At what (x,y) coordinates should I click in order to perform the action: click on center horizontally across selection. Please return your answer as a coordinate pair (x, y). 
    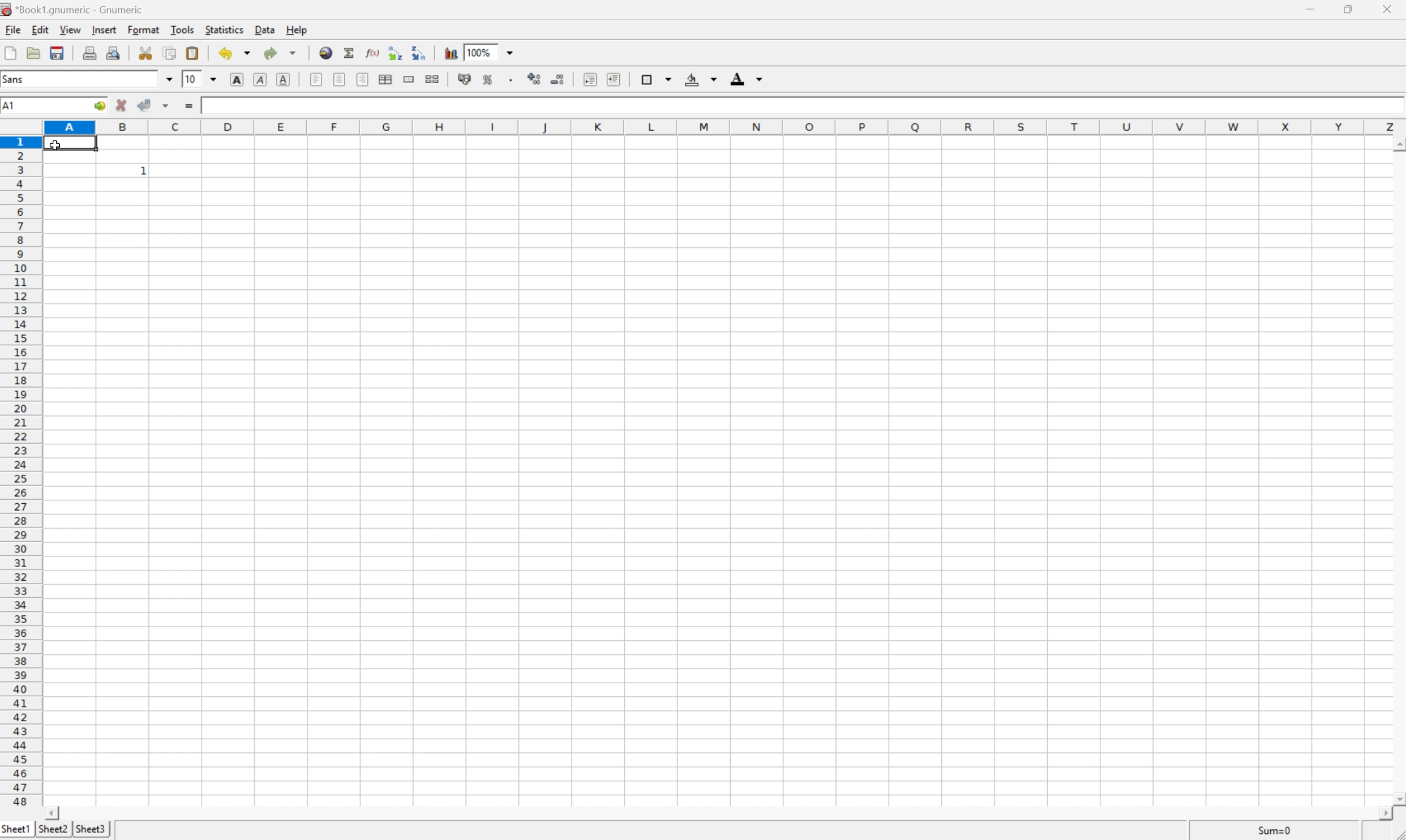
    Looking at the image, I should click on (384, 79).